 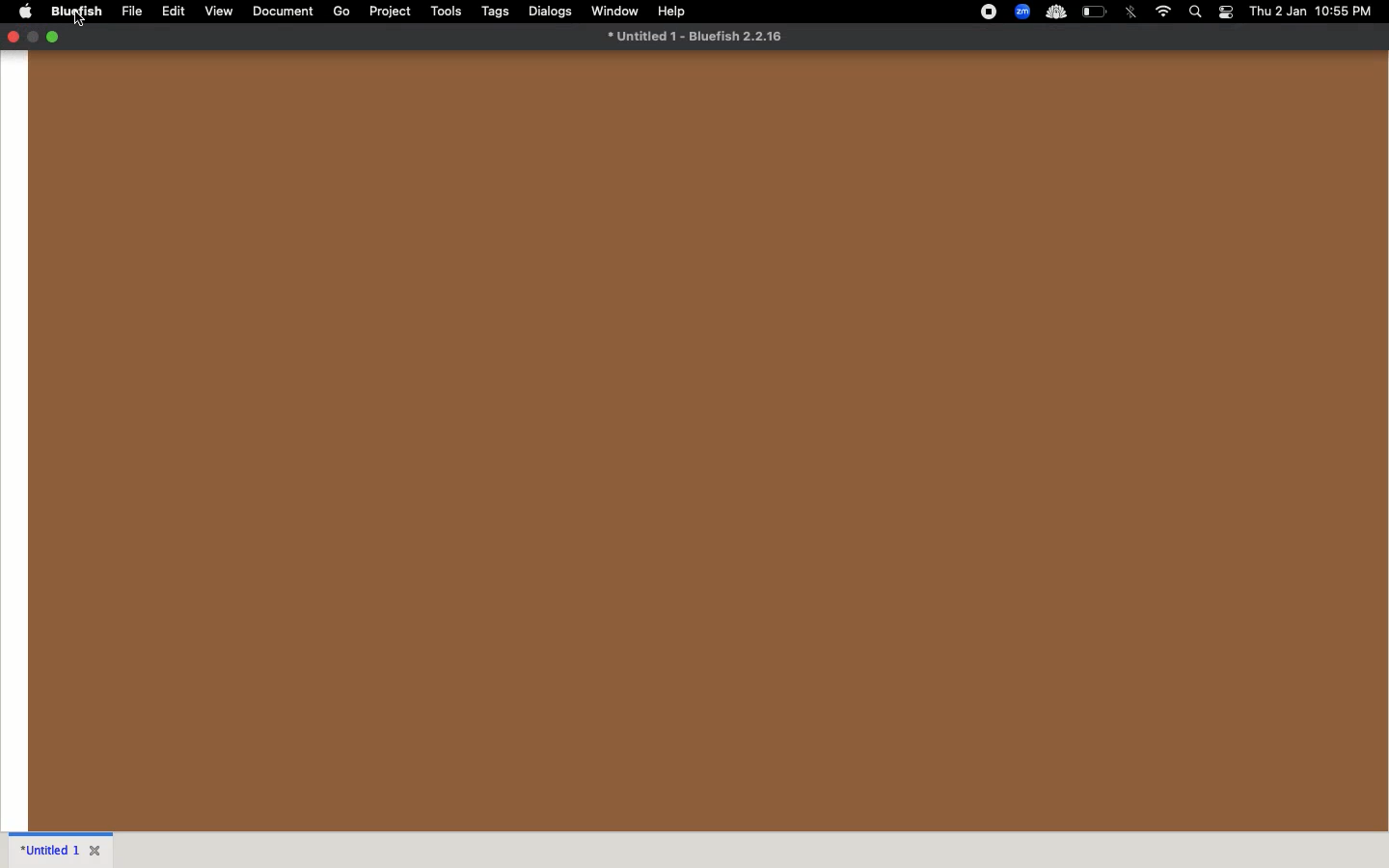 I want to click on tools, so click(x=447, y=10).